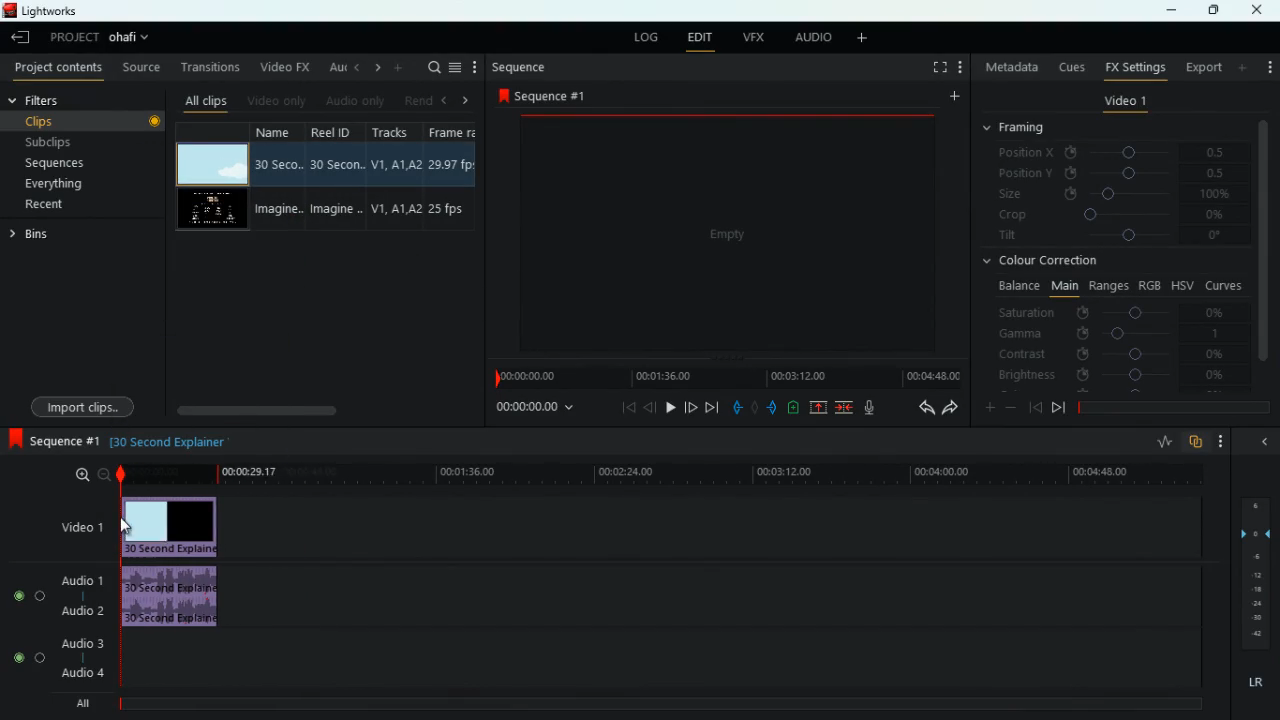  Describe the element at coordinates (352, 101) in the screenshot. I see `audio only` at that location.